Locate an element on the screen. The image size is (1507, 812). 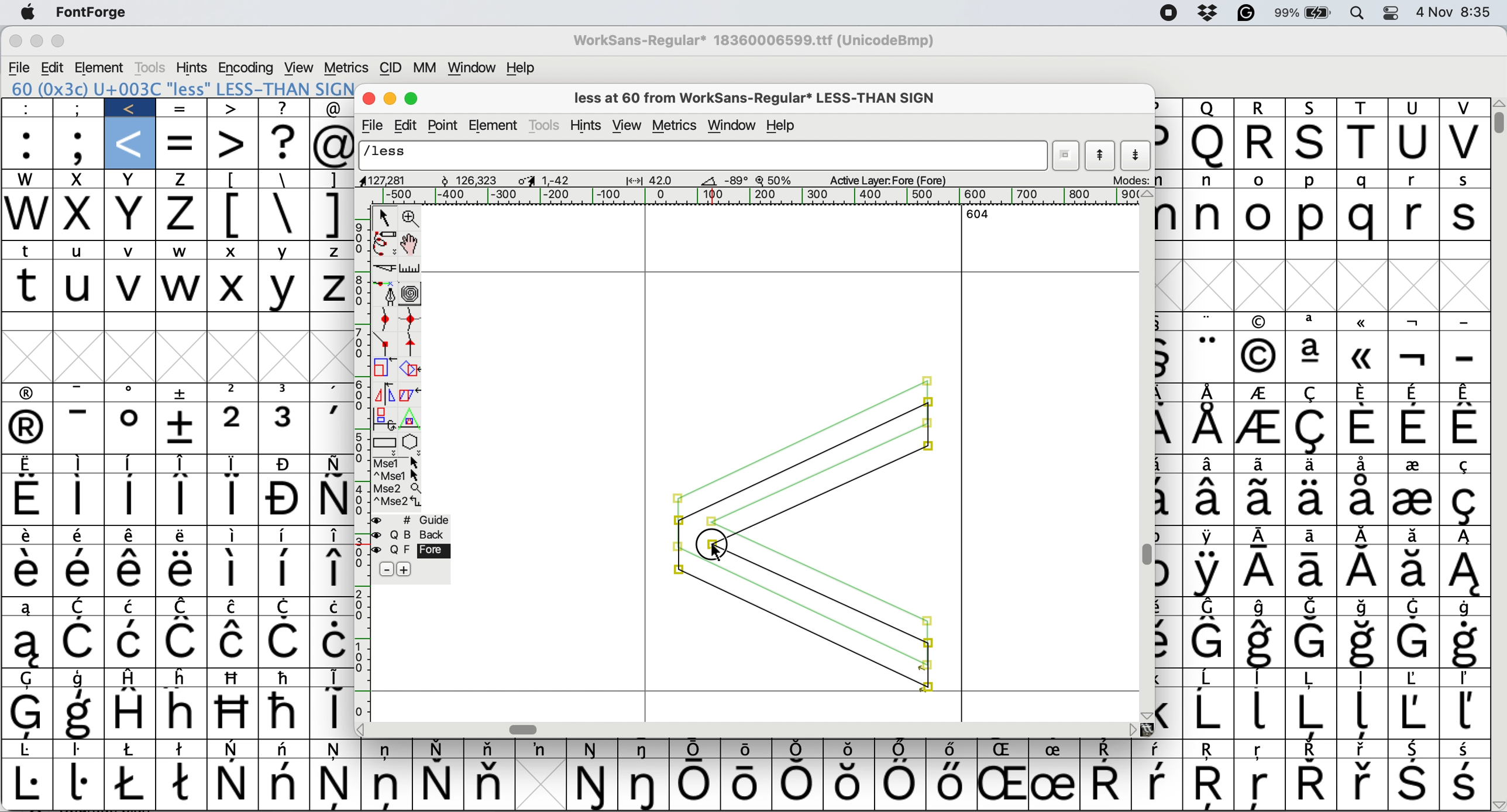
Symbol is located at coordinates (78, 643).